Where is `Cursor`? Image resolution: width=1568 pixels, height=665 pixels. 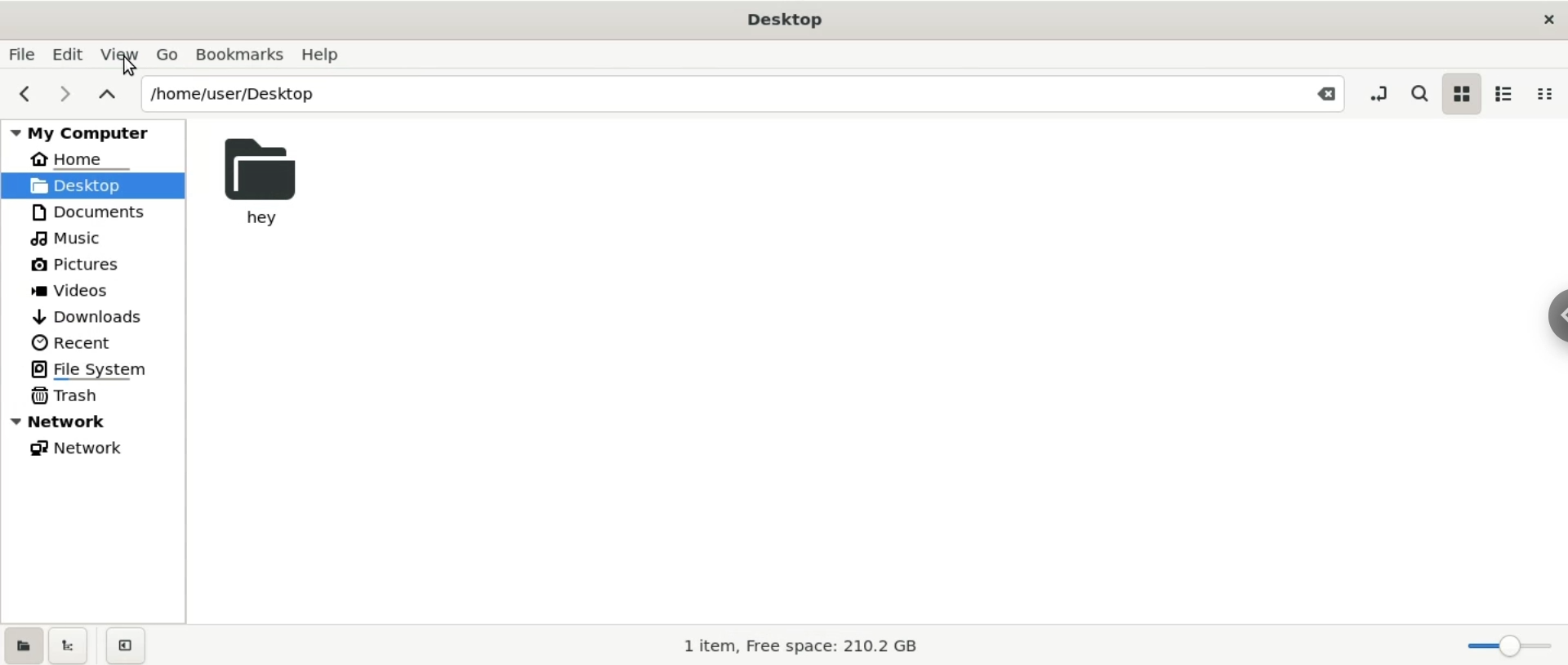
Cursor is located at coordinates (131, 68).